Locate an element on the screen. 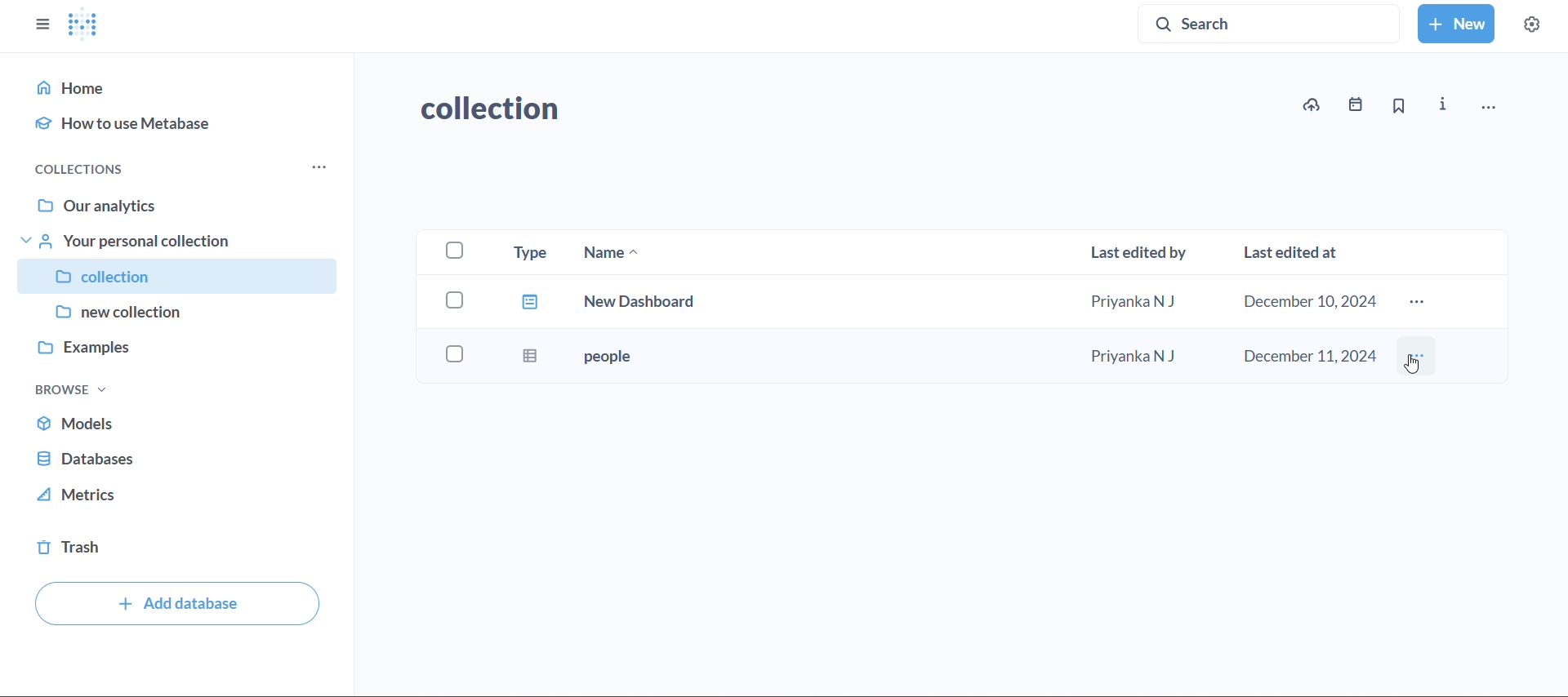 The width and height of the screenshot is (1568, 697). trash  is located at coordinates (180, 551).